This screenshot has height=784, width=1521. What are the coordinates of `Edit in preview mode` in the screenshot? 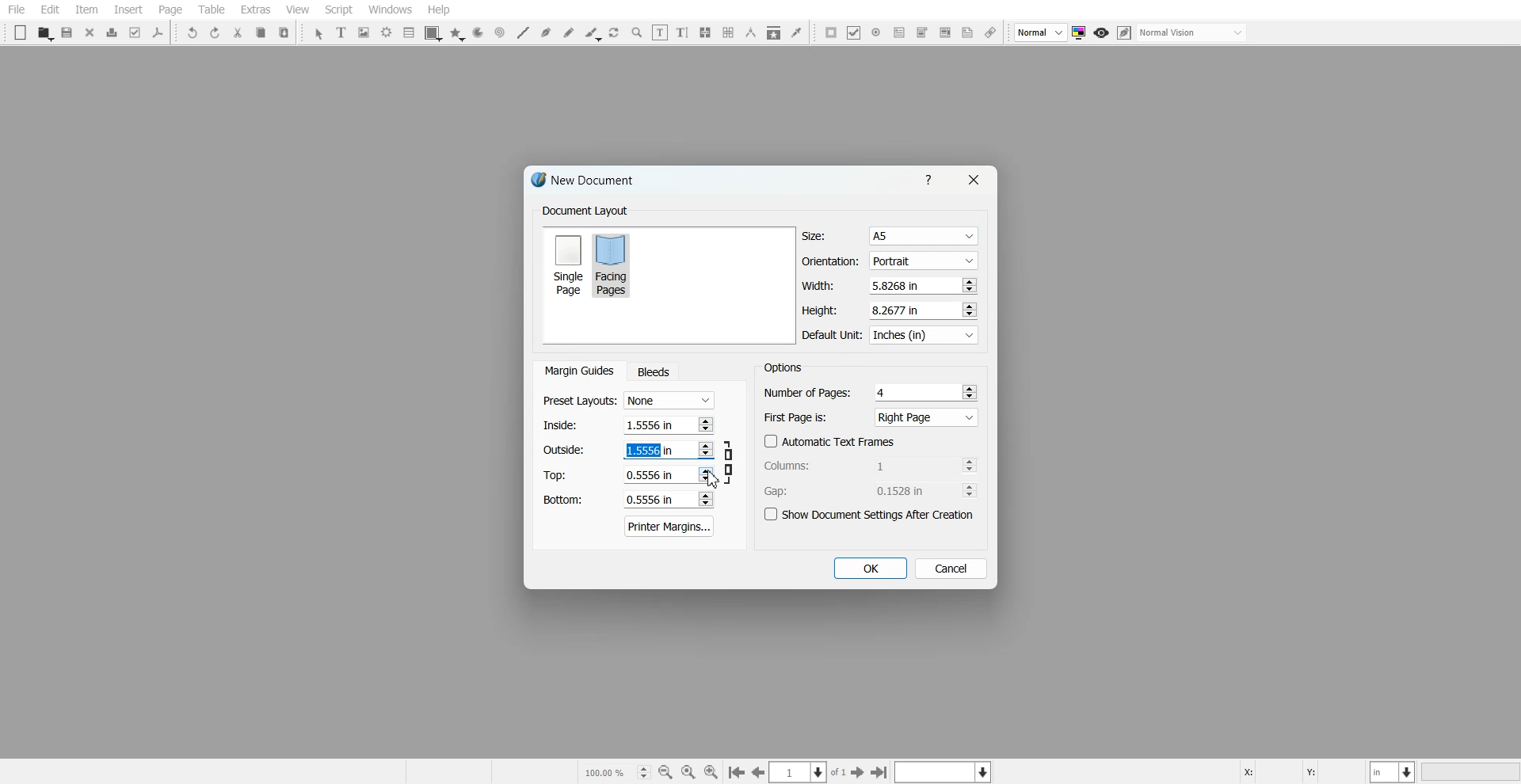 It's located at (1125, 32).